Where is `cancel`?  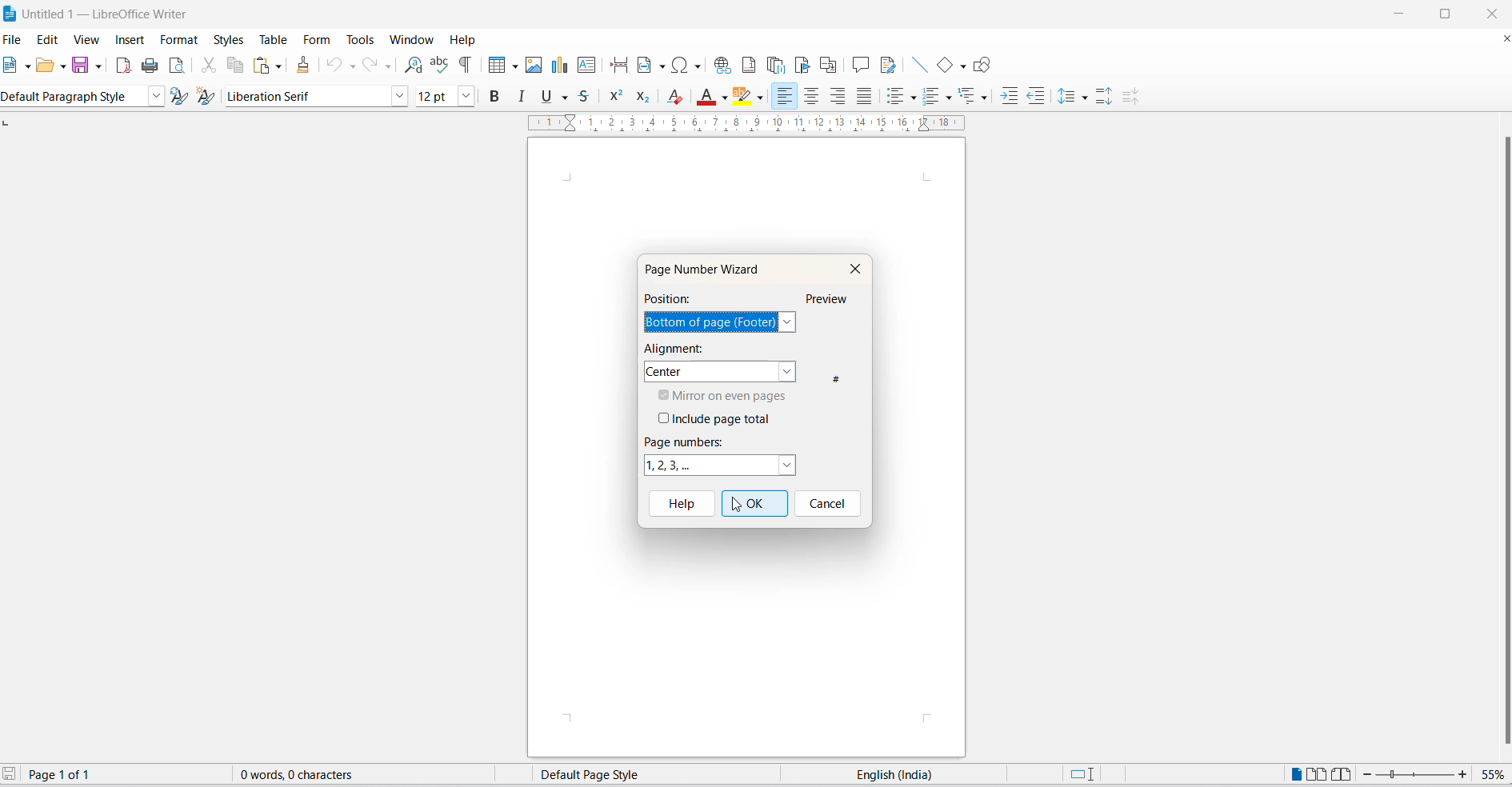 cancel is located at coordinates (830, 505).